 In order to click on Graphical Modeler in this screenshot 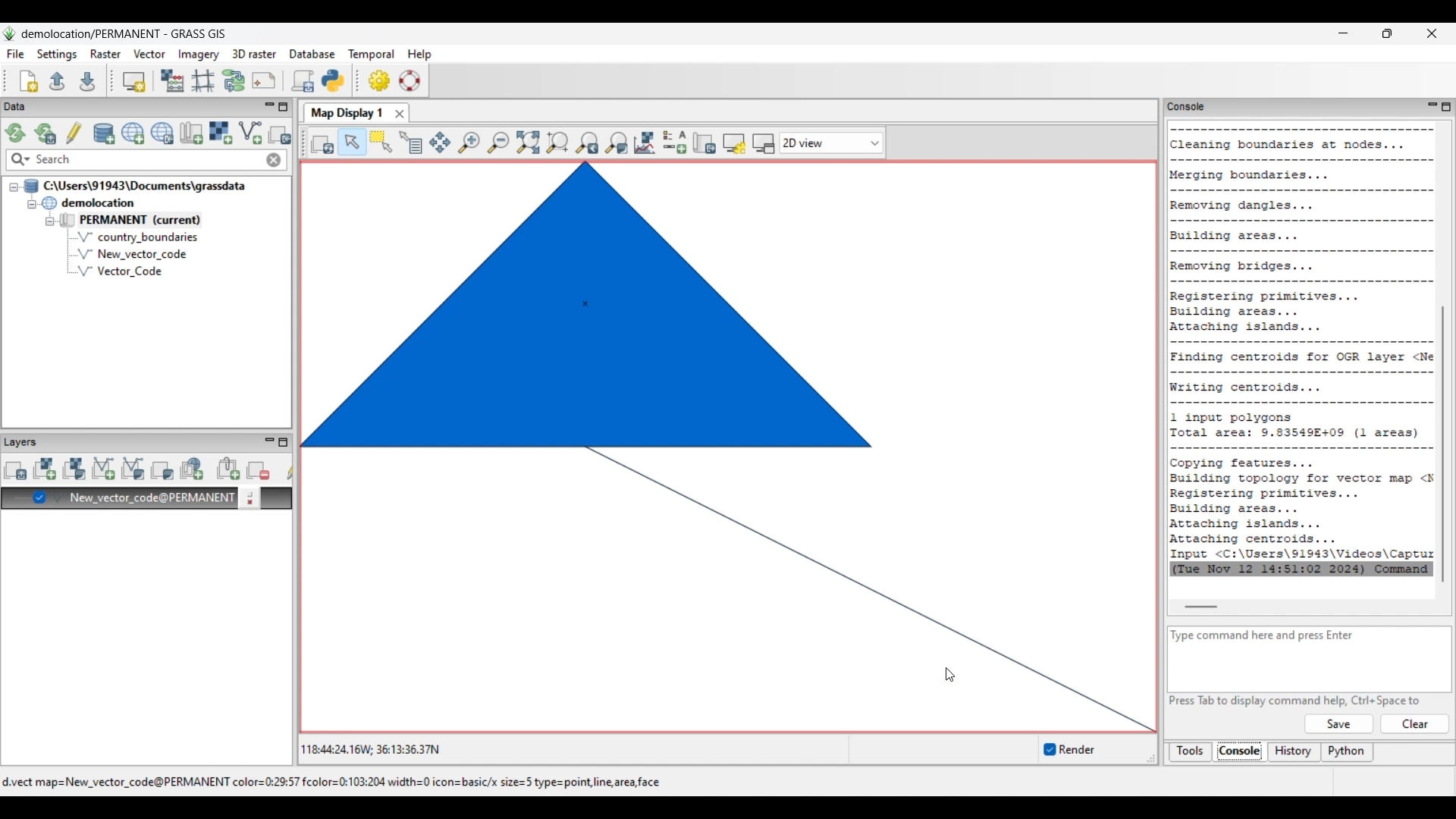, I will do `click(234, 80)`.